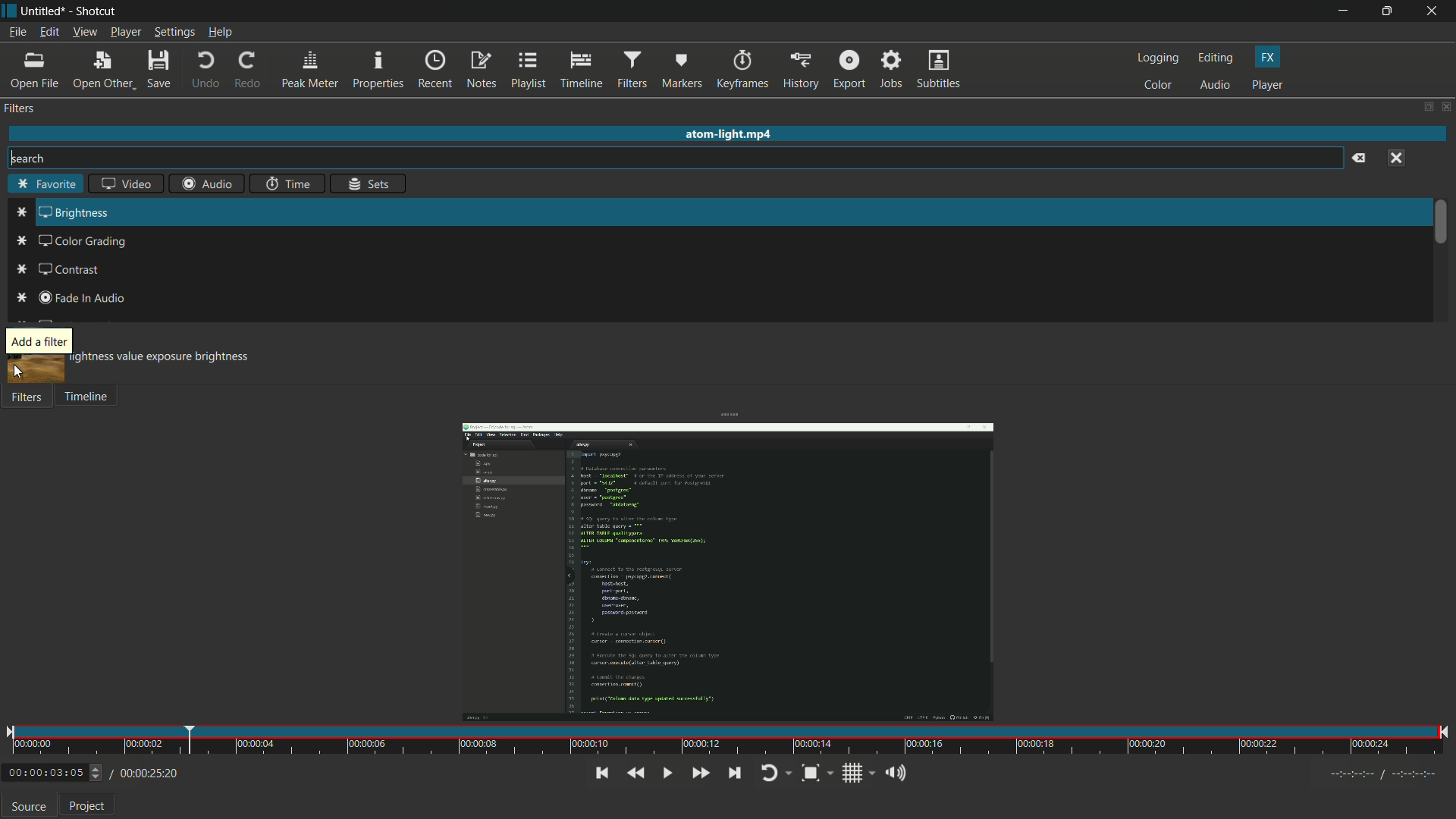 The width and height of the screenshot is (1456, 819). I want to click on history, so click(800, 69).